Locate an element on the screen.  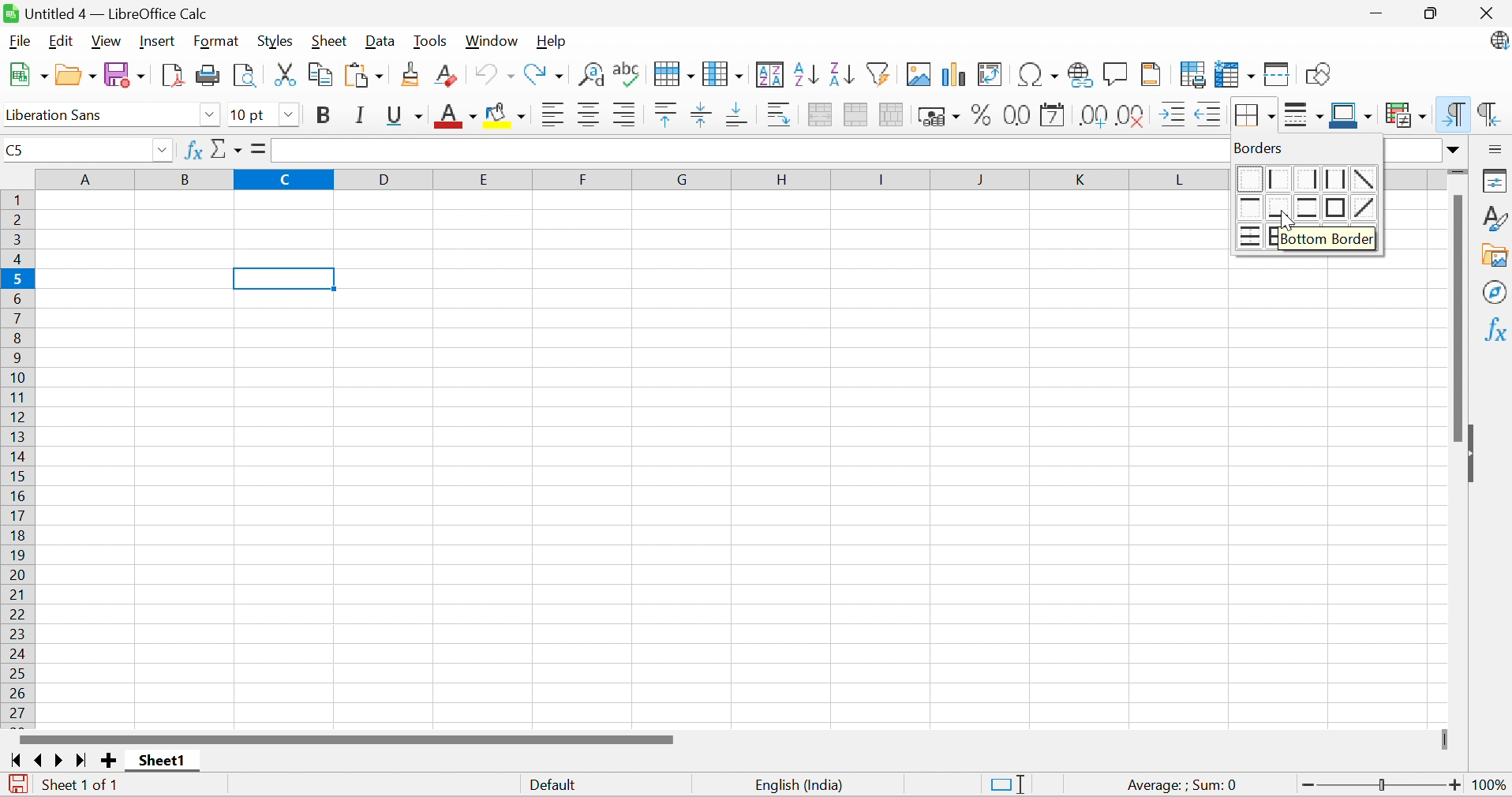
Formula is located at coordinates (256, 148).